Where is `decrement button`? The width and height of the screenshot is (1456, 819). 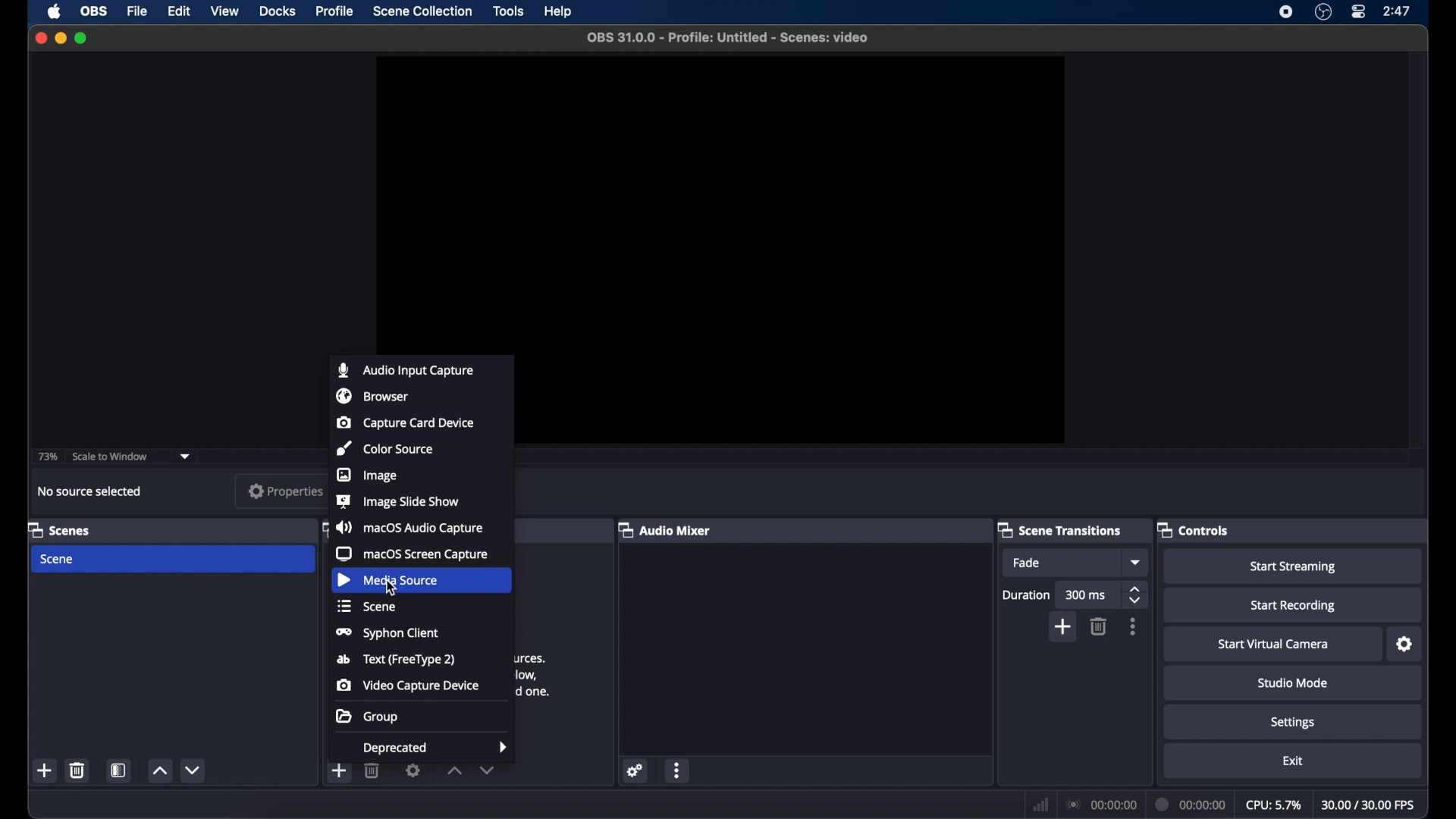 decrement button is located at coordinates (194, 769).